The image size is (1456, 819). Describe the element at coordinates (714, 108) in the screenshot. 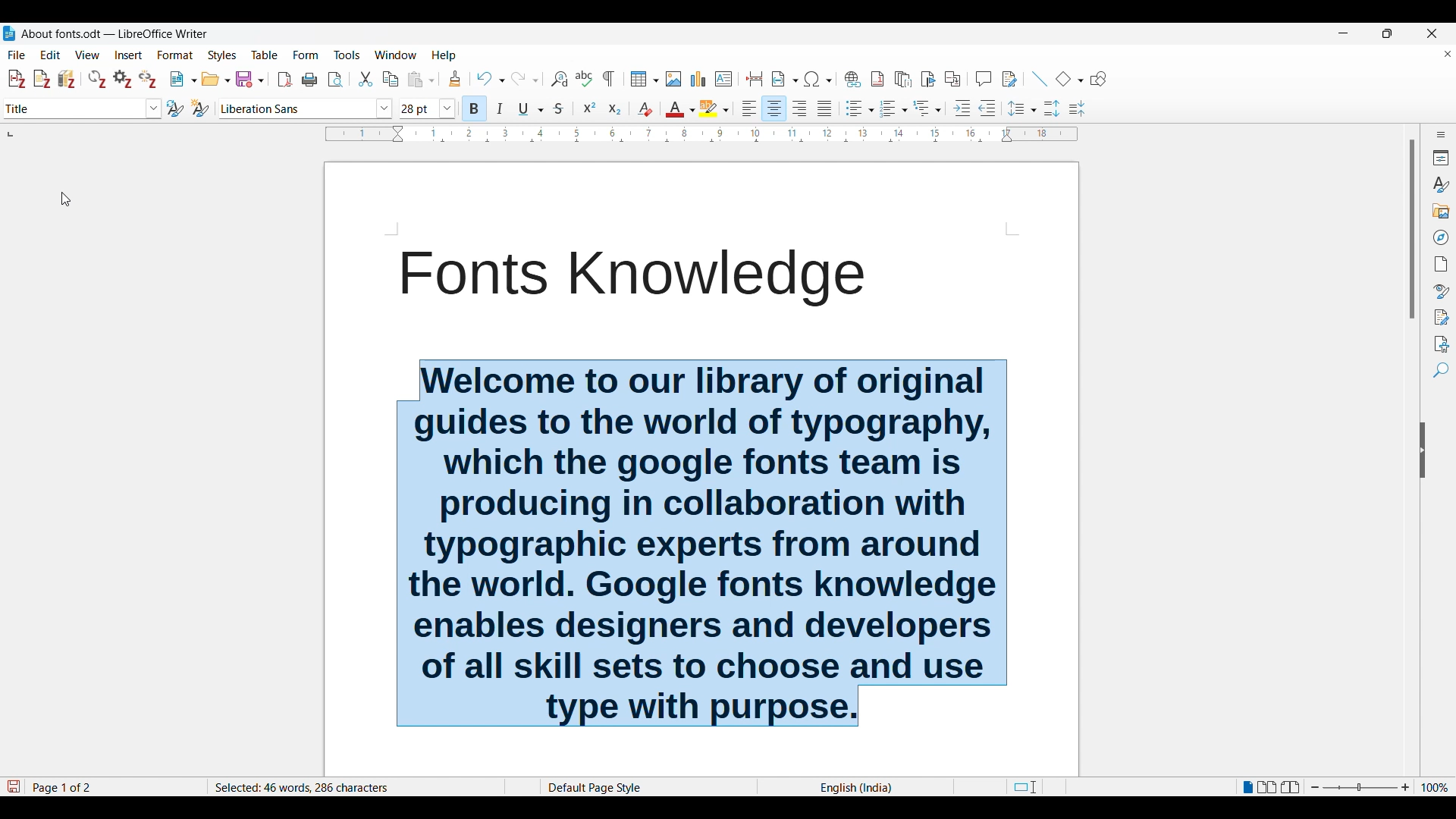

I see `Highlight color options` at that location.